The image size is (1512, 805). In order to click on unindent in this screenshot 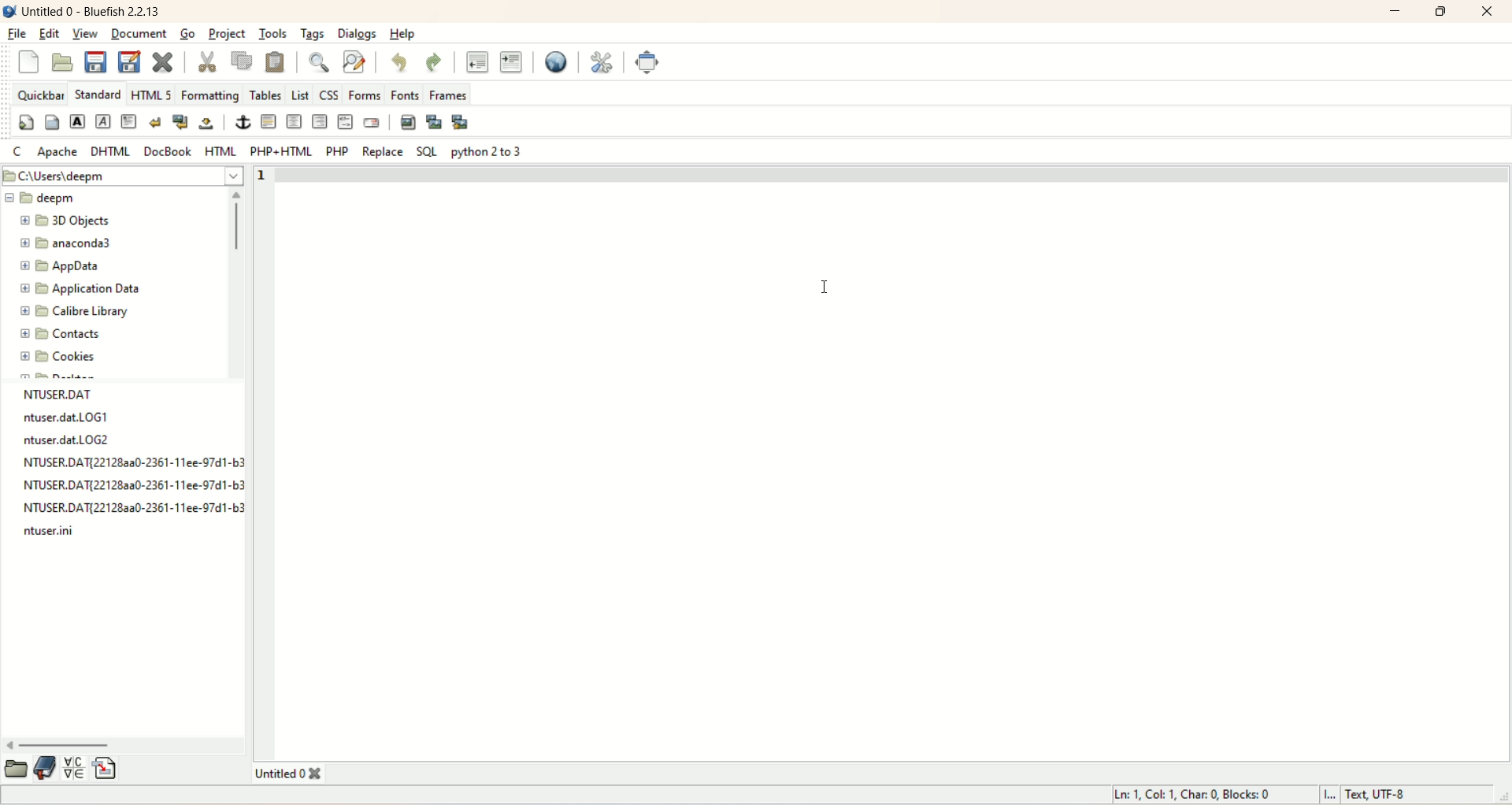, I will do `click(476, 61)`.